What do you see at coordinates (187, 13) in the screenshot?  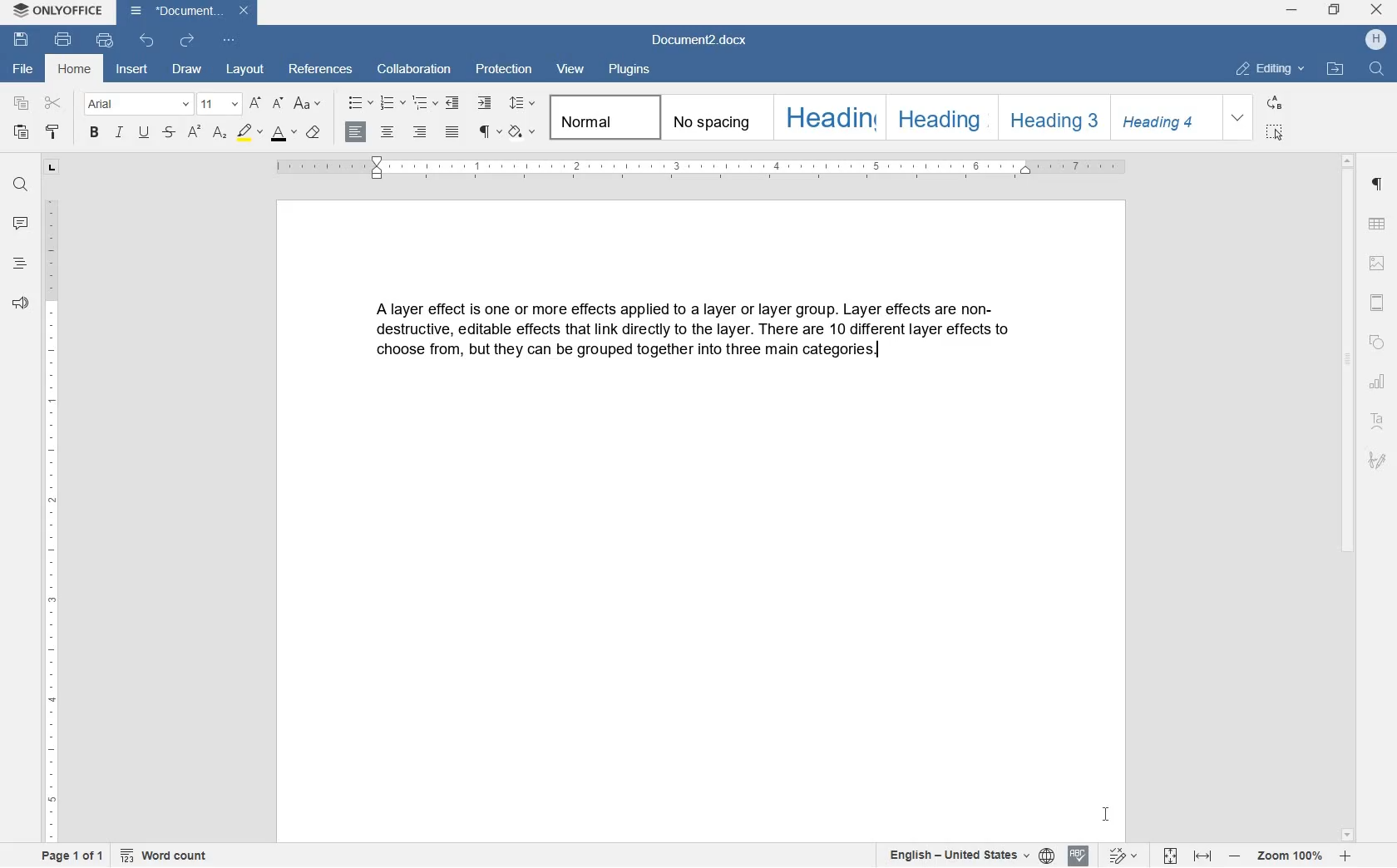 I see `Document2.docx` at bounding box center [187, 13].